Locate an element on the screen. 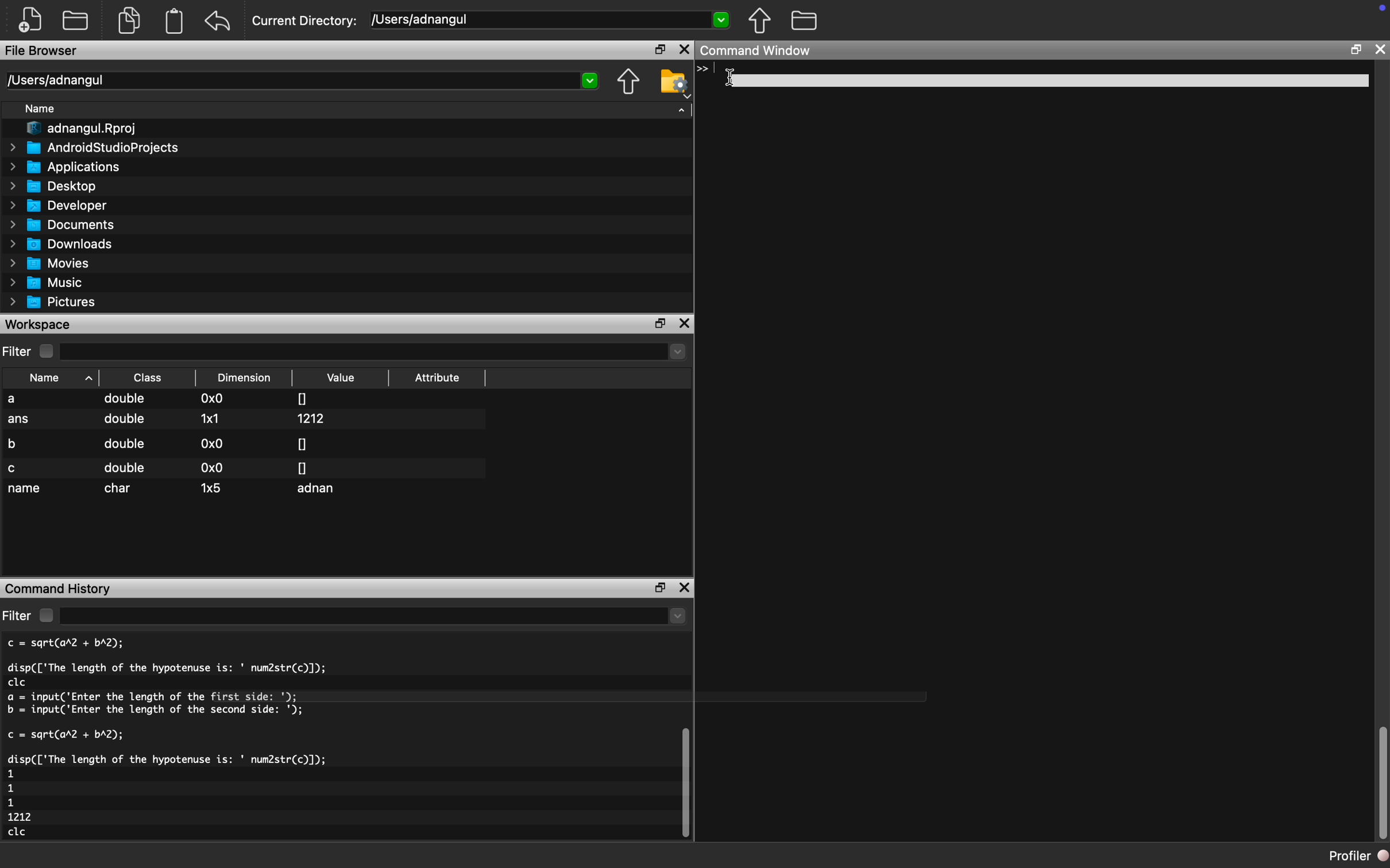  documents is located at coordinates (128, 19).